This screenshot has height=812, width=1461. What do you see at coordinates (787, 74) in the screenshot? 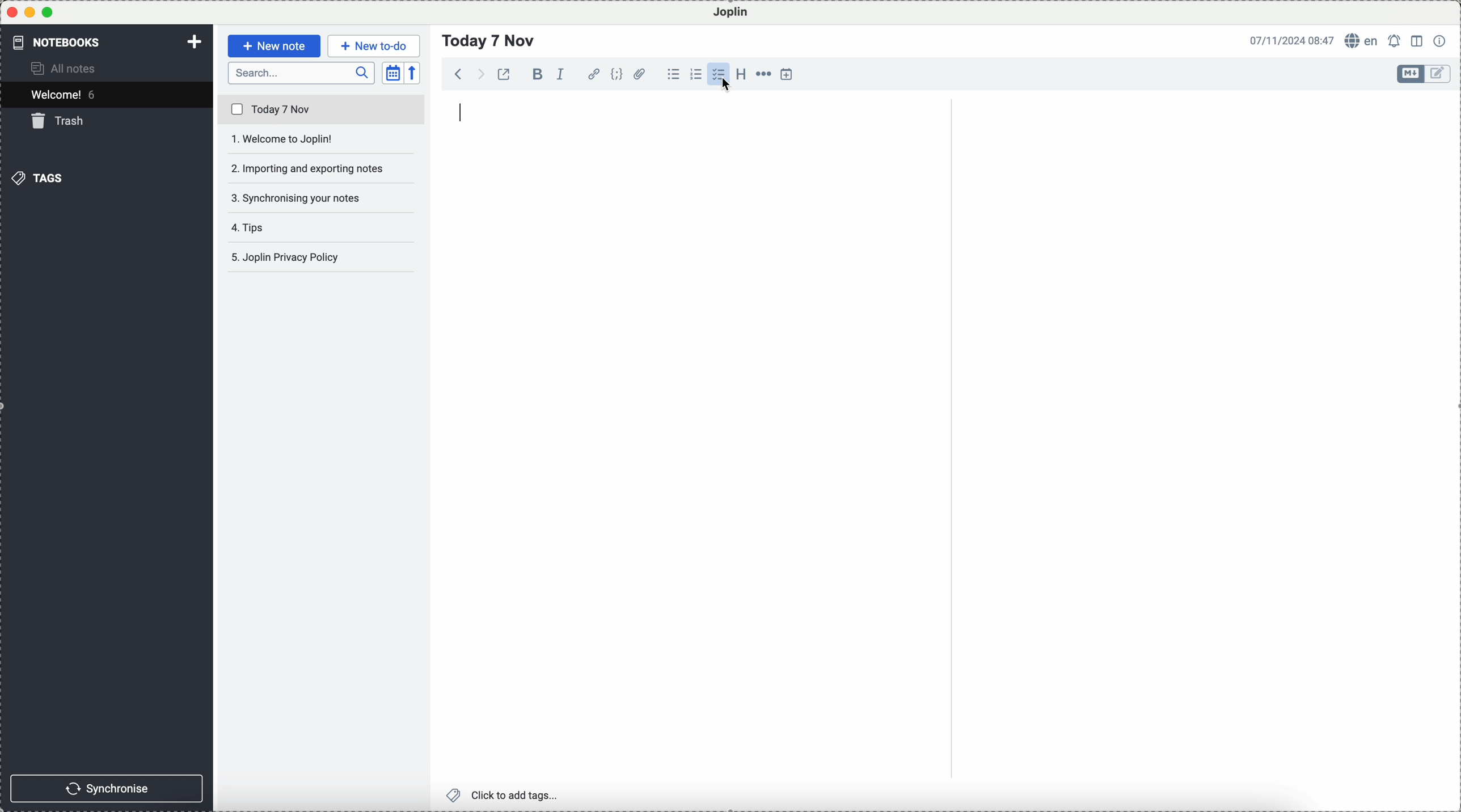
I see `insert time` at bounding box center [787, 74].